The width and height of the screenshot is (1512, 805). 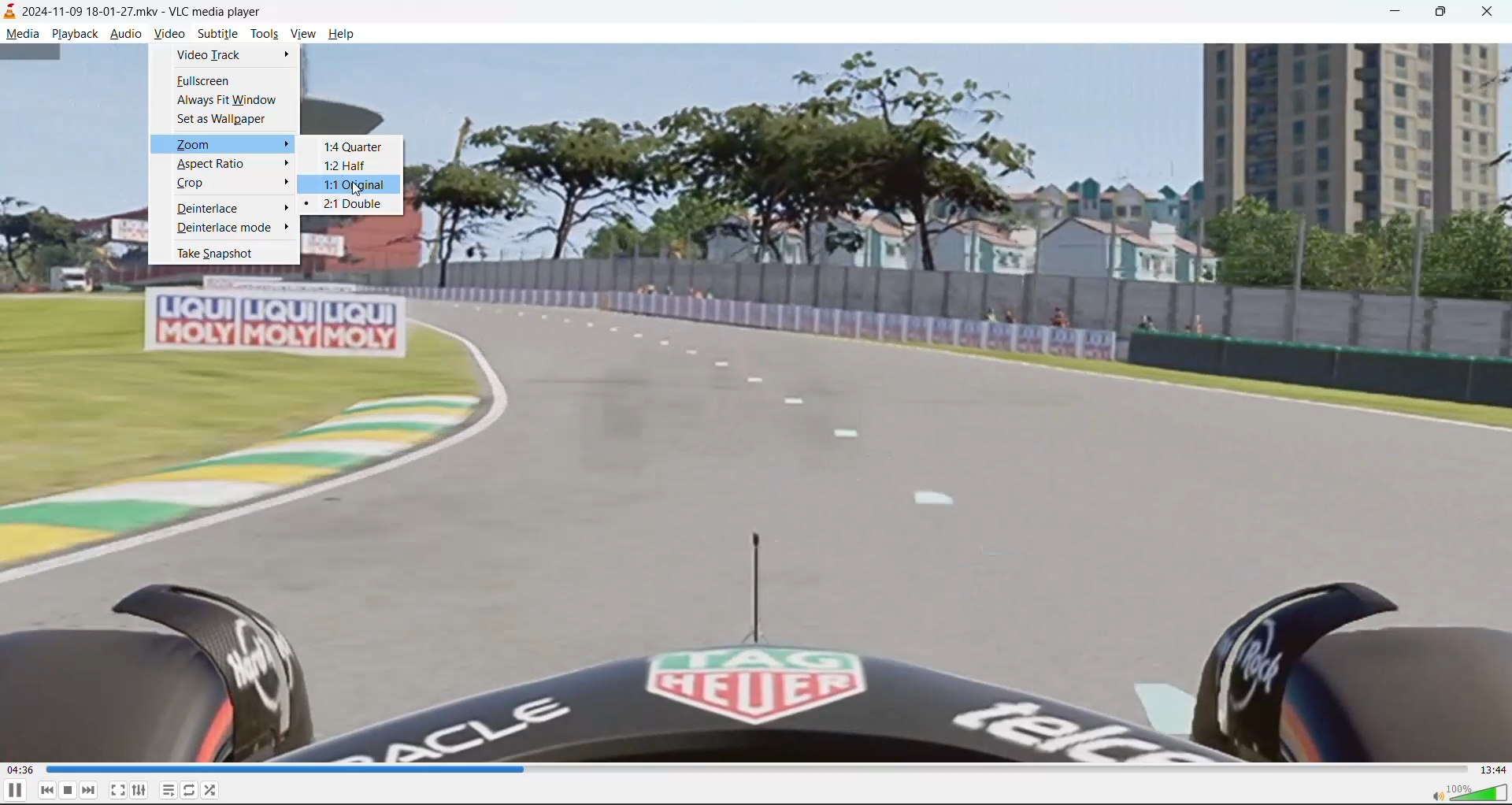 What do you see at coordinates (201, 144) in the screenshot?
I see `zoom` at bounding box center [201, 144].